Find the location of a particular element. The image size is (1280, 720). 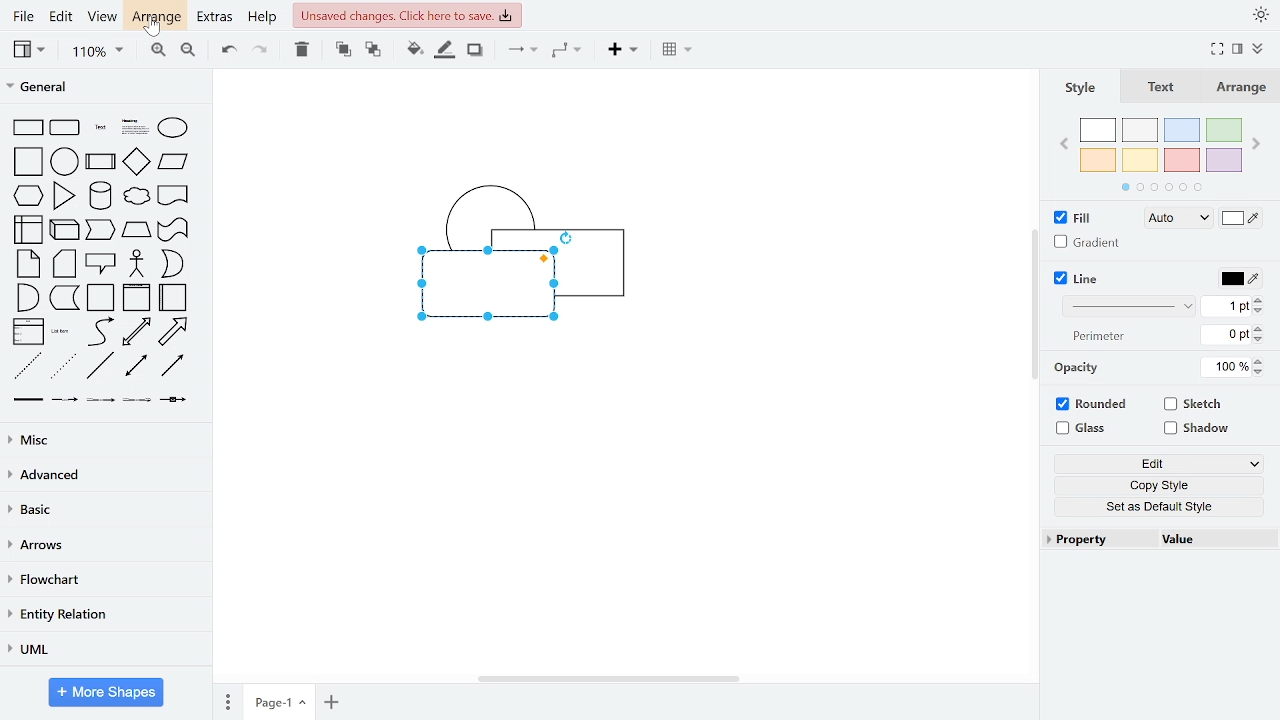

step is located at coordinates (101, 231).